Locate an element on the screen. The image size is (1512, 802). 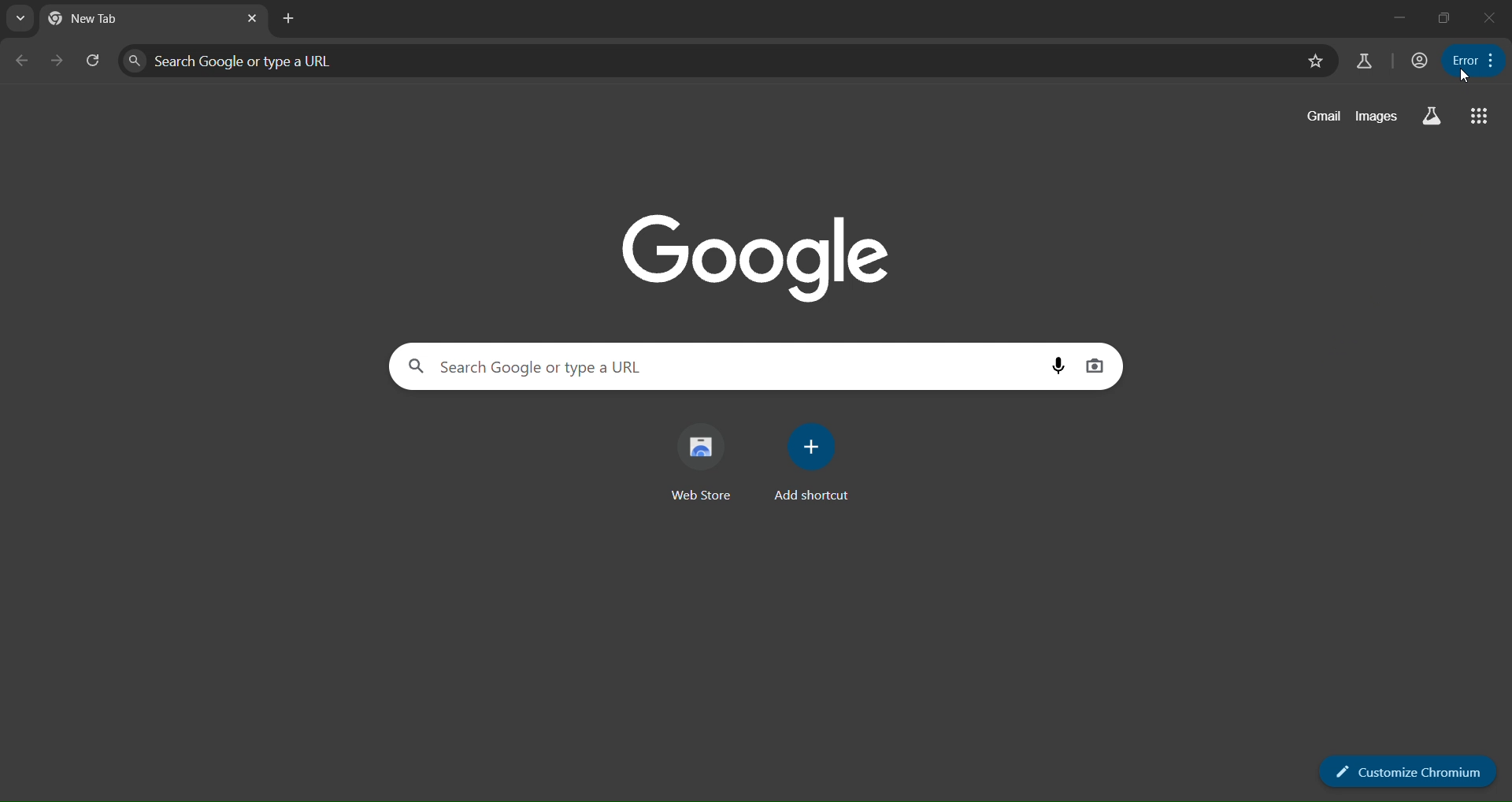
go back one page is located at coordinates (20, 60).